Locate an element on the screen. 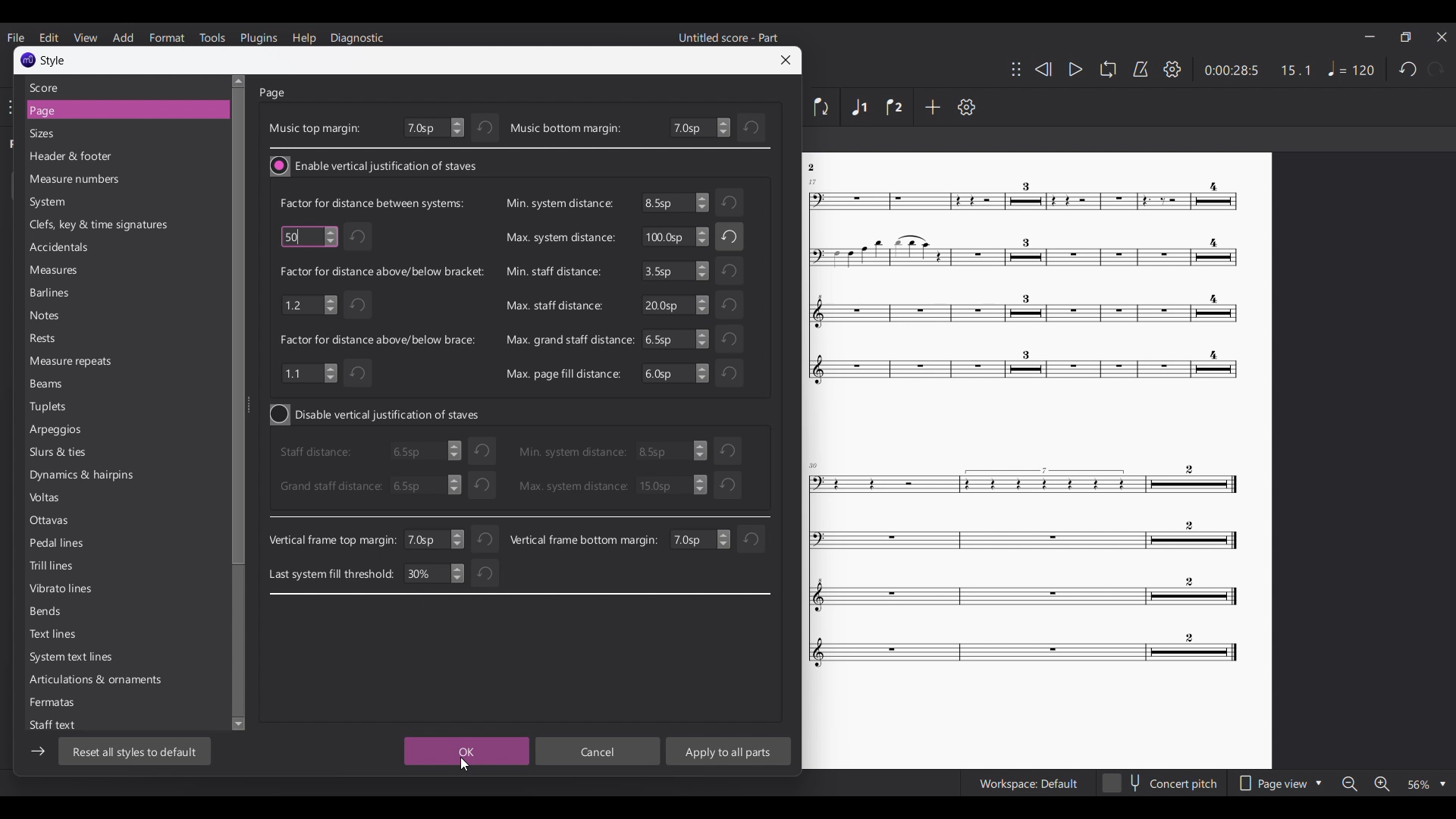 The width and height of the screenshot is (1456, 819). Add menu is located at coordinates (123, 37).